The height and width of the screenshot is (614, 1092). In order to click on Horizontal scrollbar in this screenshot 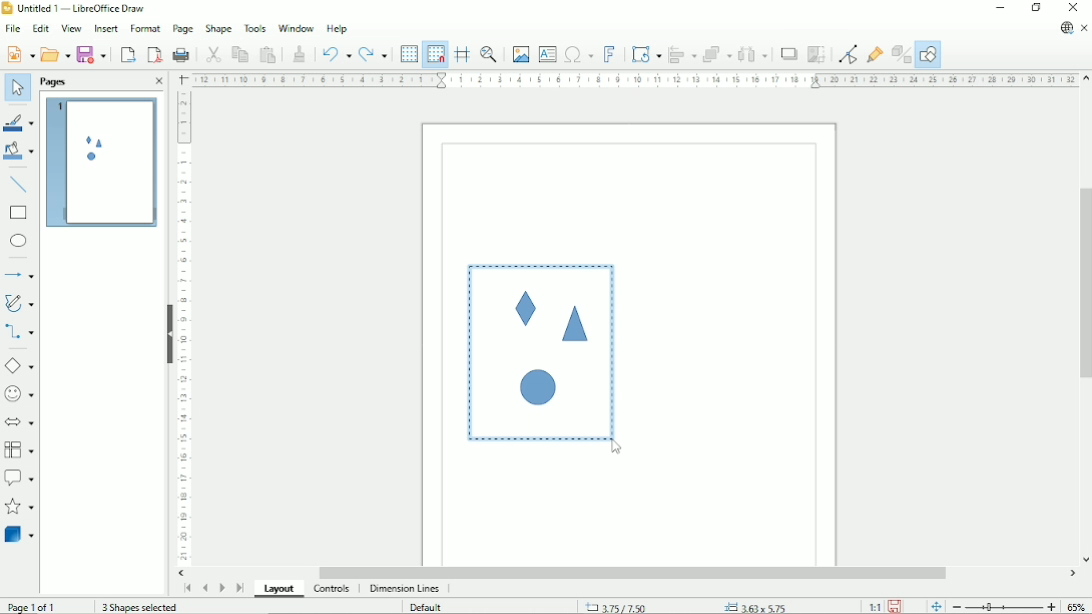, I will do `click(635, 573)`.